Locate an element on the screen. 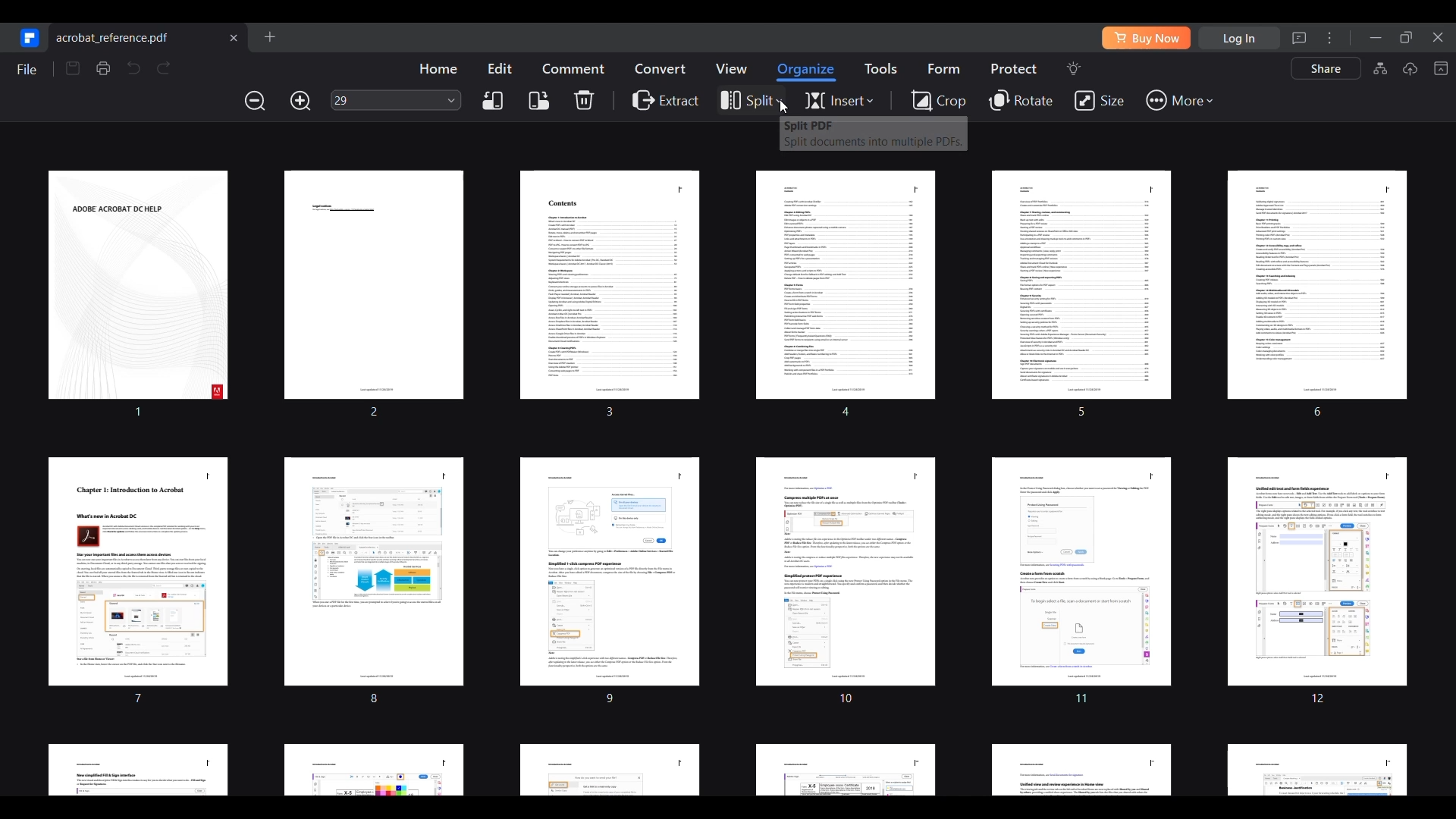 This screenshot has height=819, width=1456. File is located at coordinates (26, 69).